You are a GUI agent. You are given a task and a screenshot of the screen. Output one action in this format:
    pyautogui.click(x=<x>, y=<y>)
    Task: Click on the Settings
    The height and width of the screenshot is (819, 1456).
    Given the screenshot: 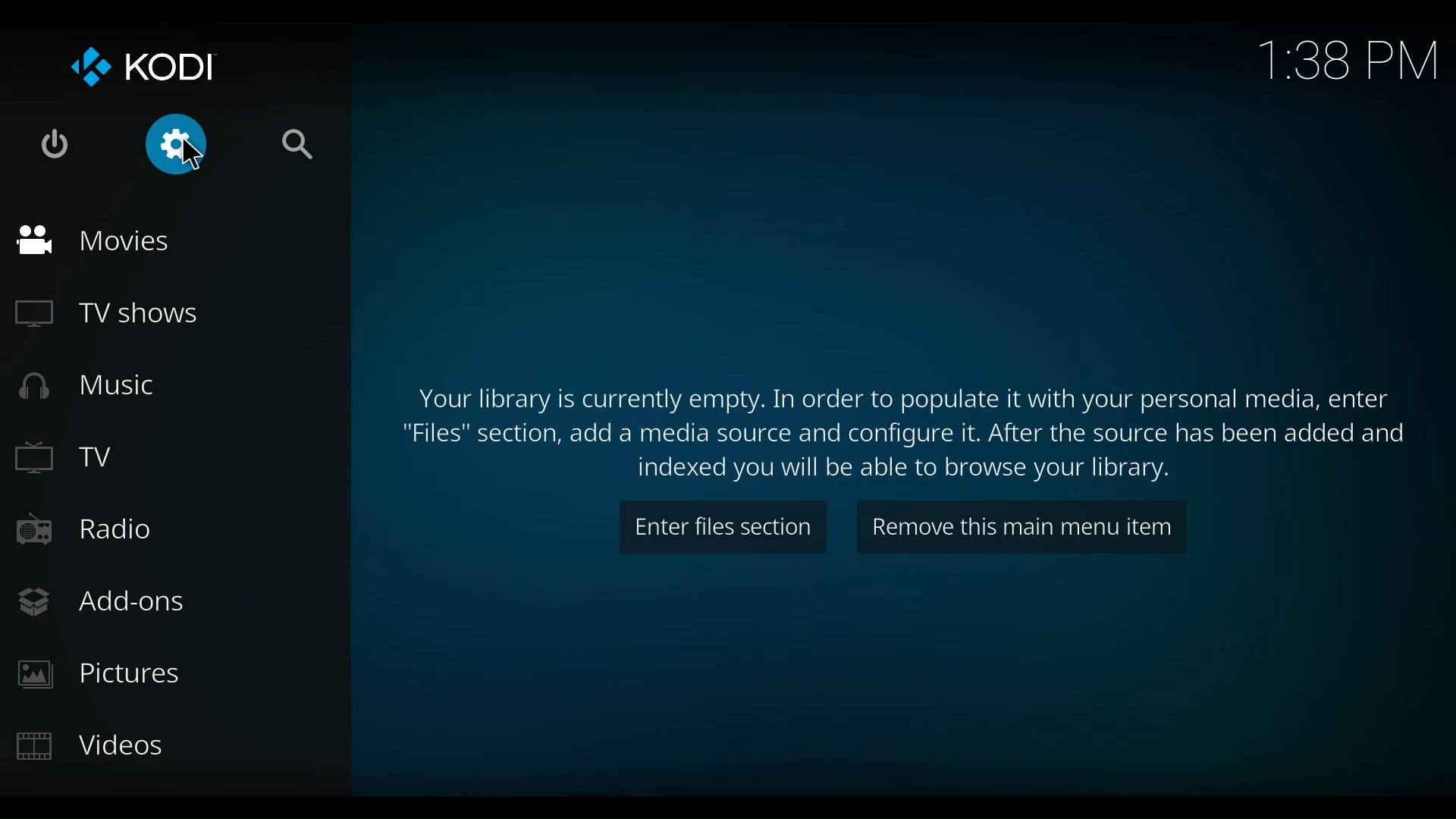 What is the action you would take?
    pyautogui.click(x=155, y=145)
    